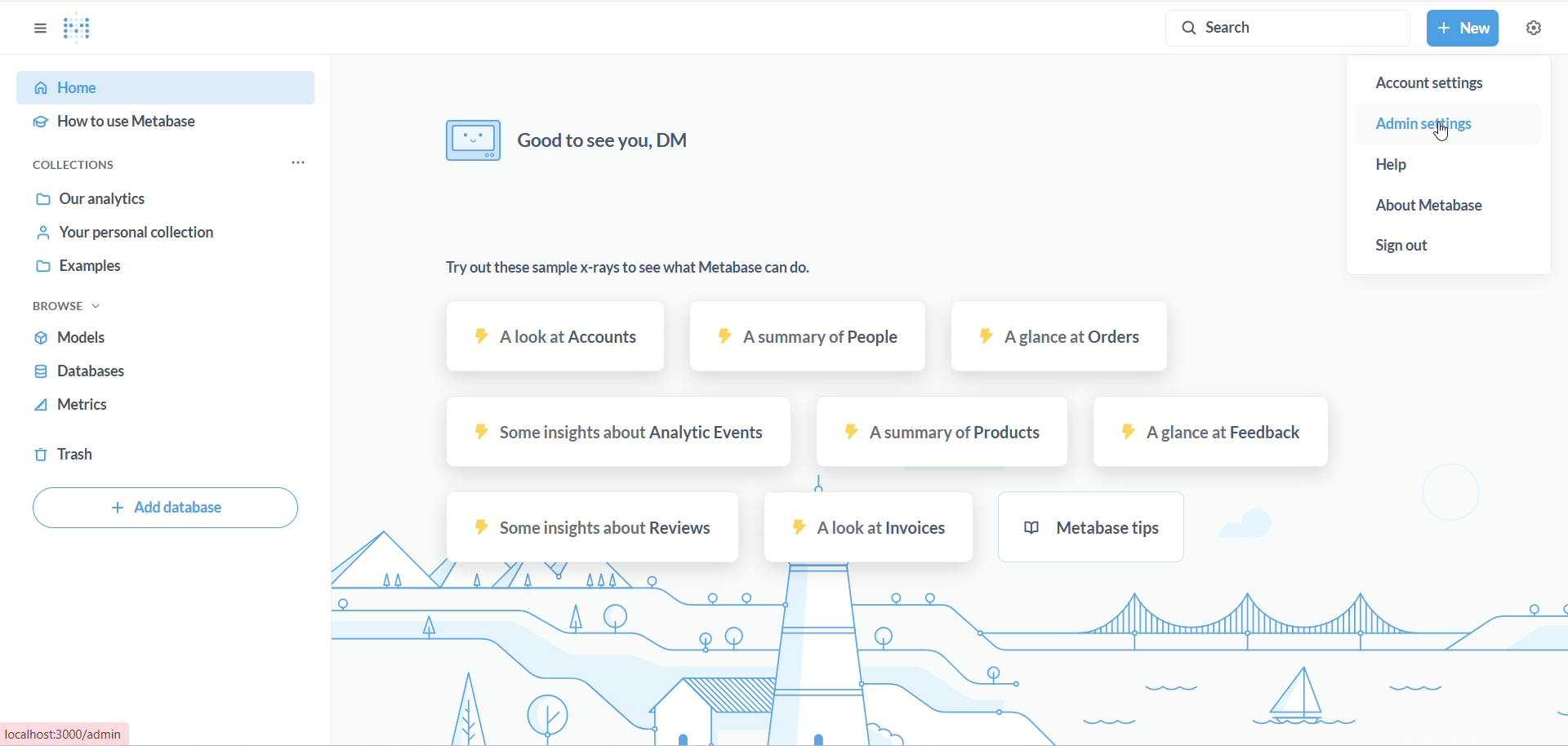  I want to click on about metabase, so click(1432, 208).